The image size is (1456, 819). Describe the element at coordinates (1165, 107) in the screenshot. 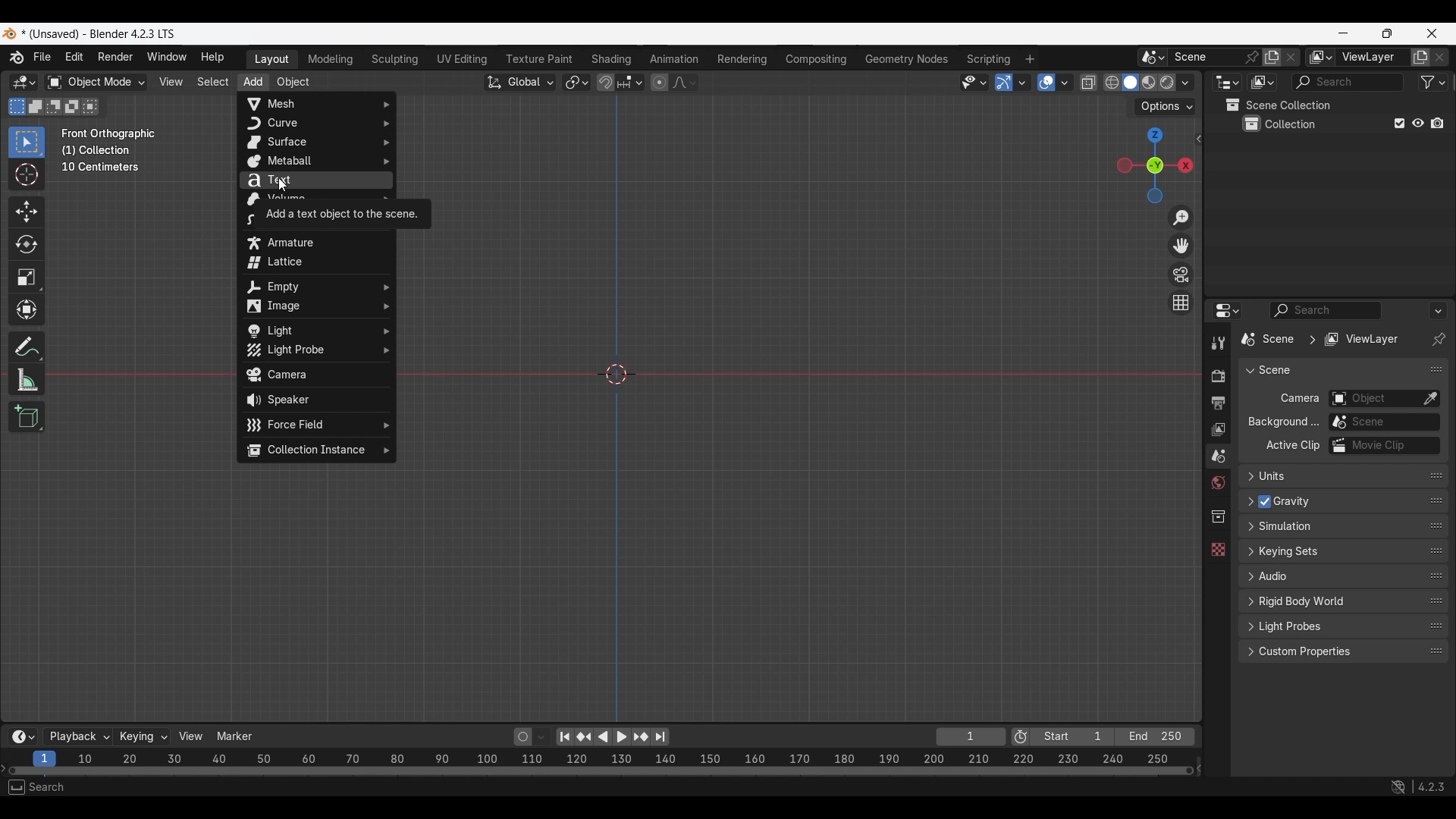

I see `Transform options` at that location.